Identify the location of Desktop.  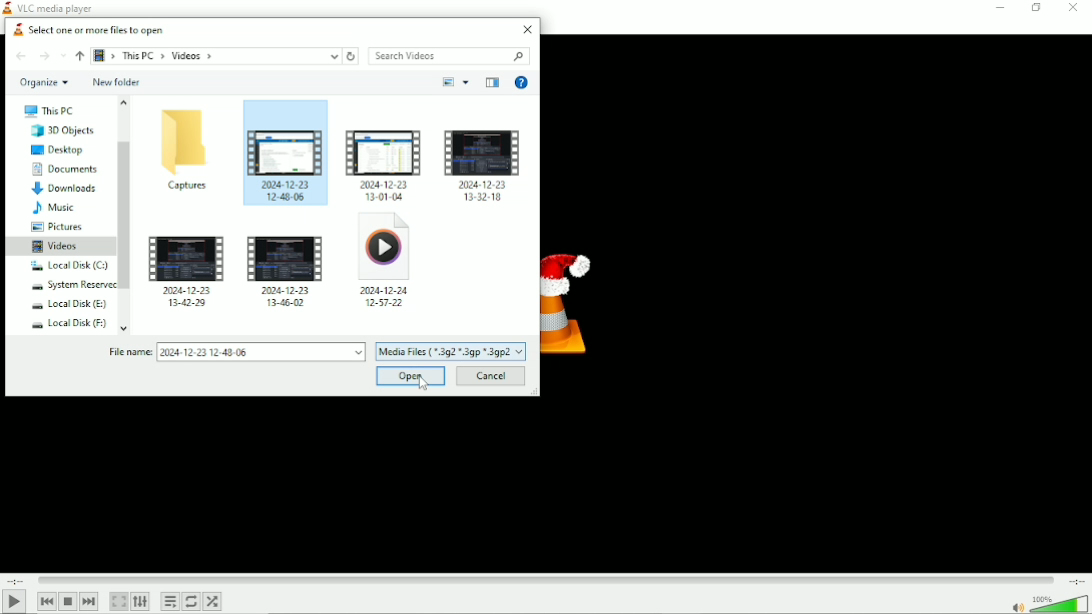
(56, 150).